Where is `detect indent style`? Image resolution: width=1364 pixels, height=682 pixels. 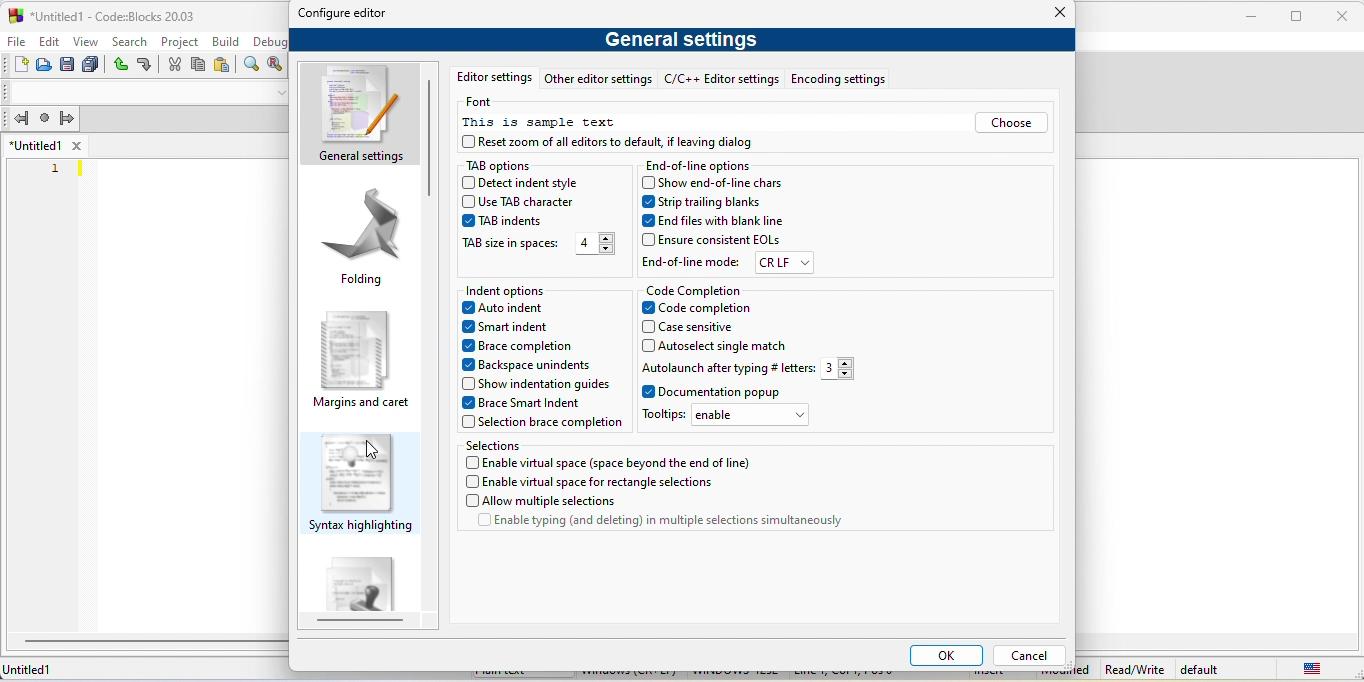
detect indent style is located at coordinates (526, 183).